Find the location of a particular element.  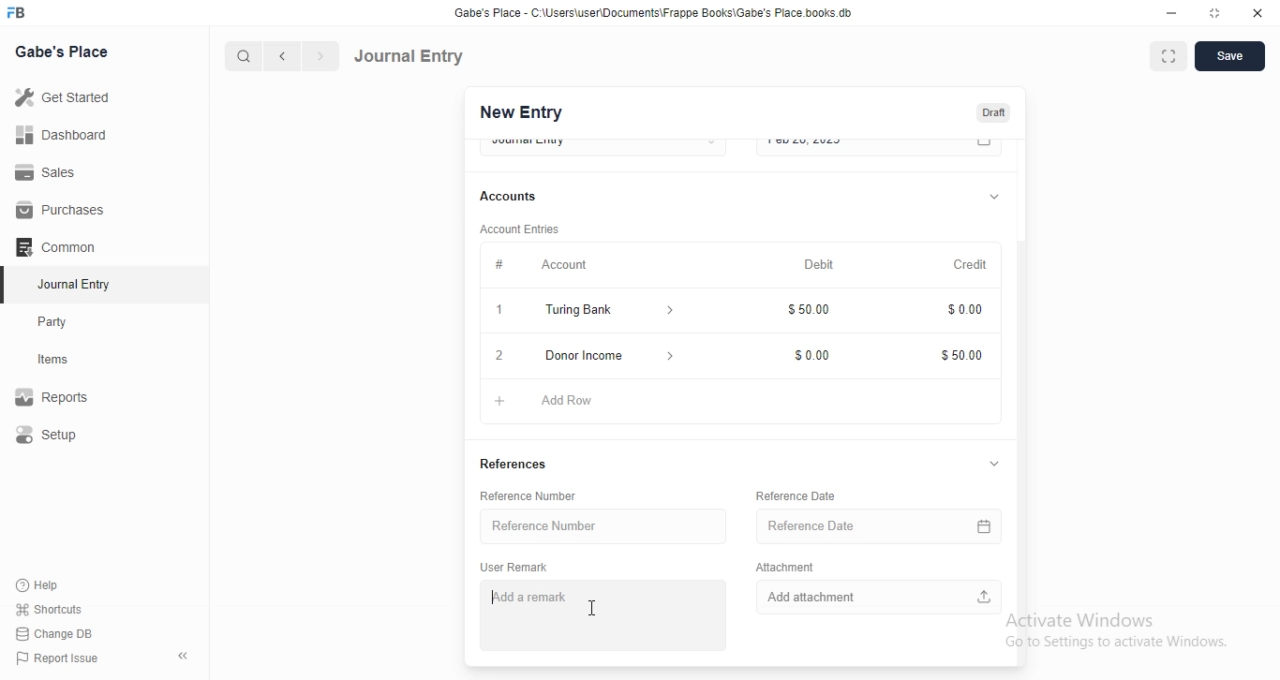

vertical scrollbar is located at coordinates (1026, 451).